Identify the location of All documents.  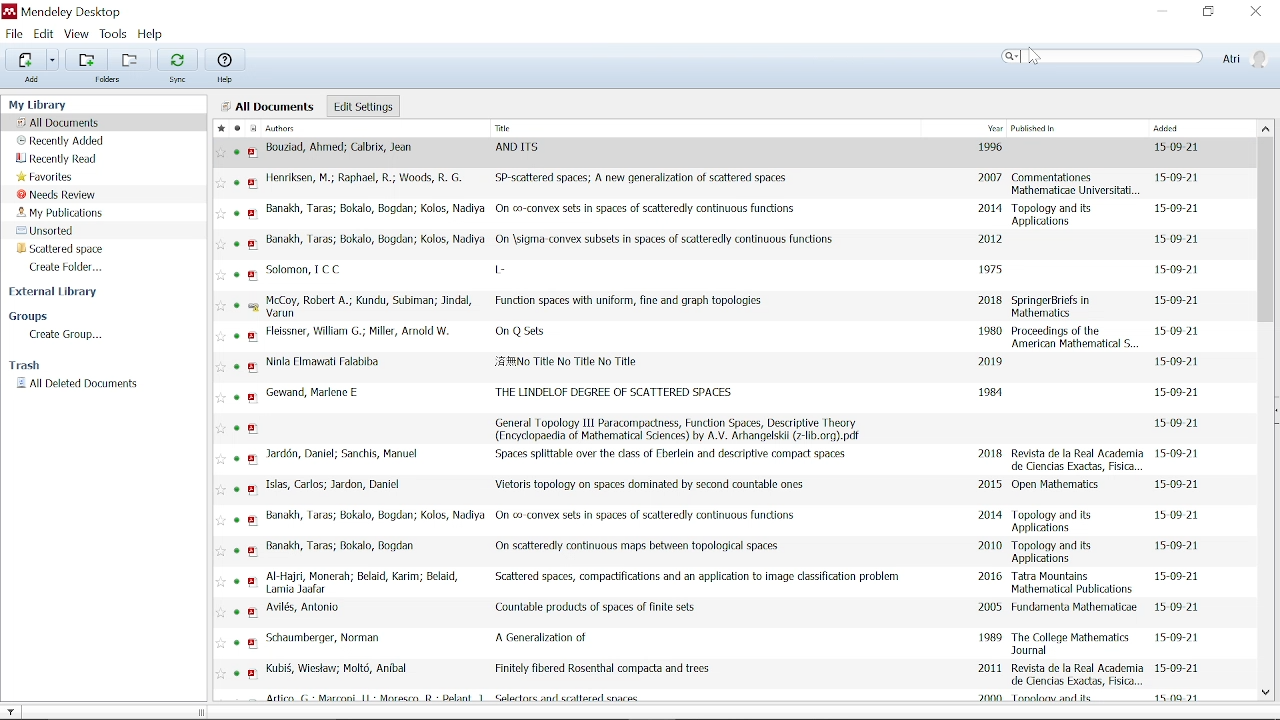
(61, 123).